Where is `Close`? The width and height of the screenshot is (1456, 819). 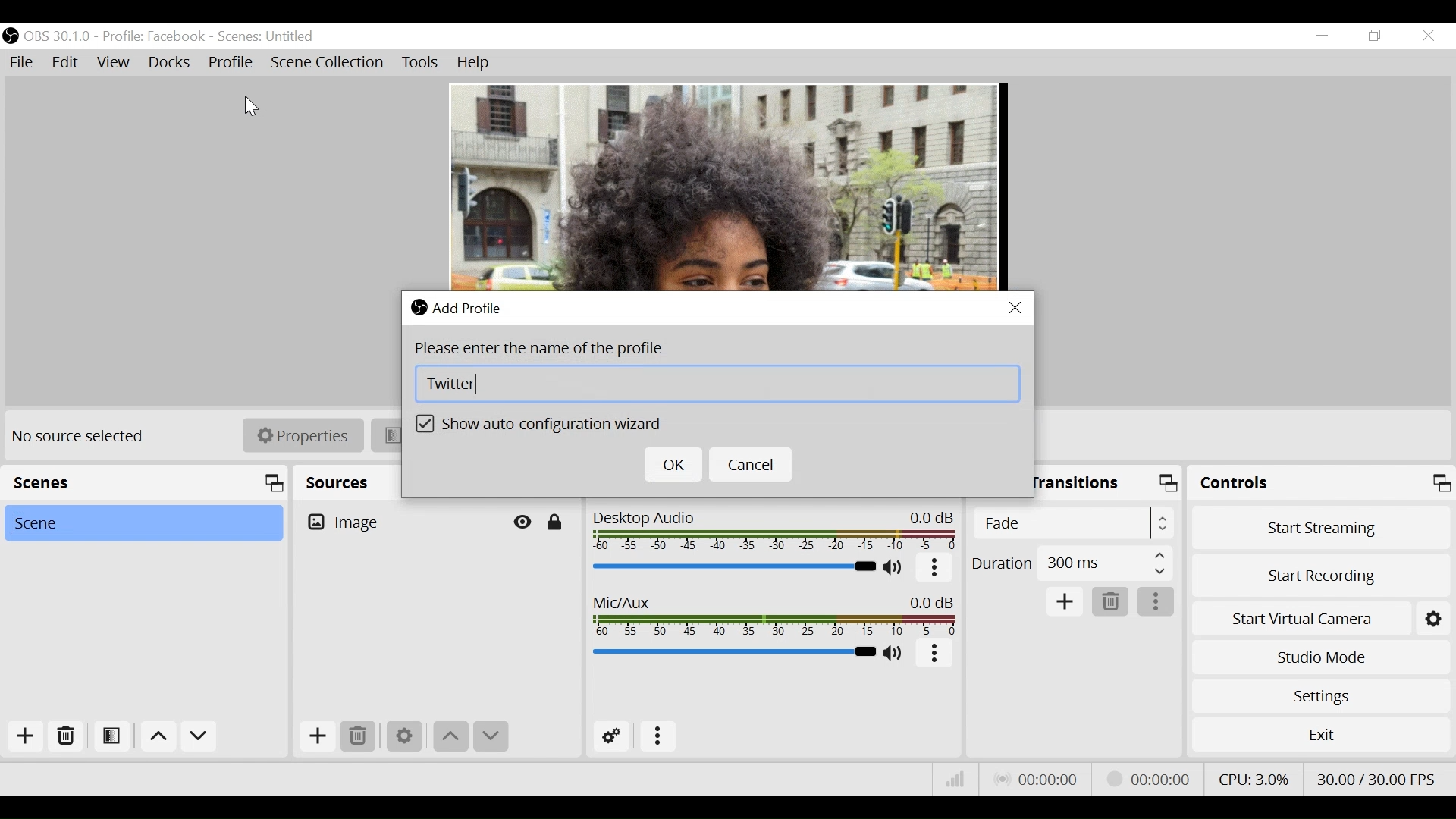
Close is located at coordinates (1427, 35).